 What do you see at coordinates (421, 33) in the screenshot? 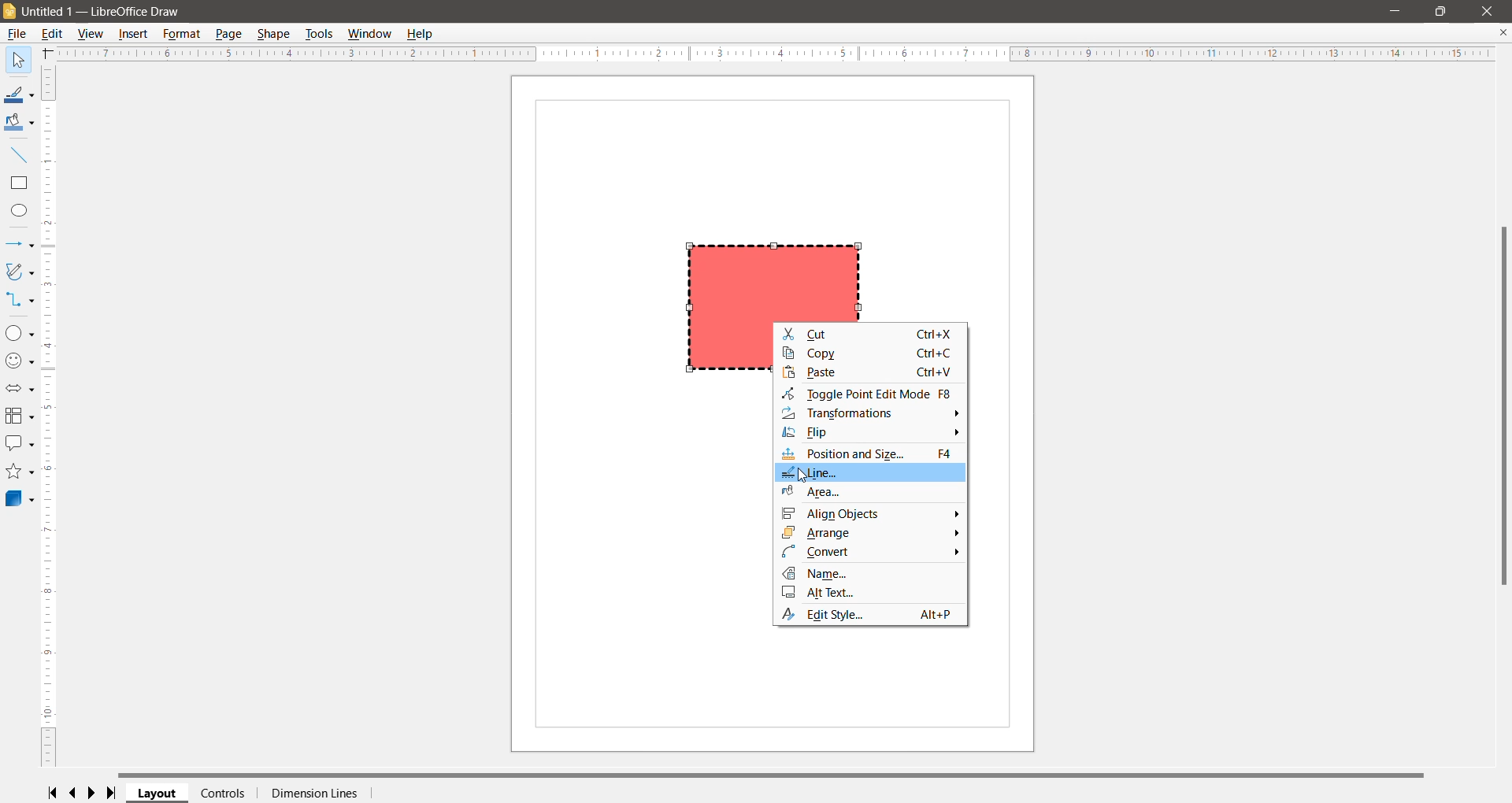
I see `Help` at bounding box center [421, 33].